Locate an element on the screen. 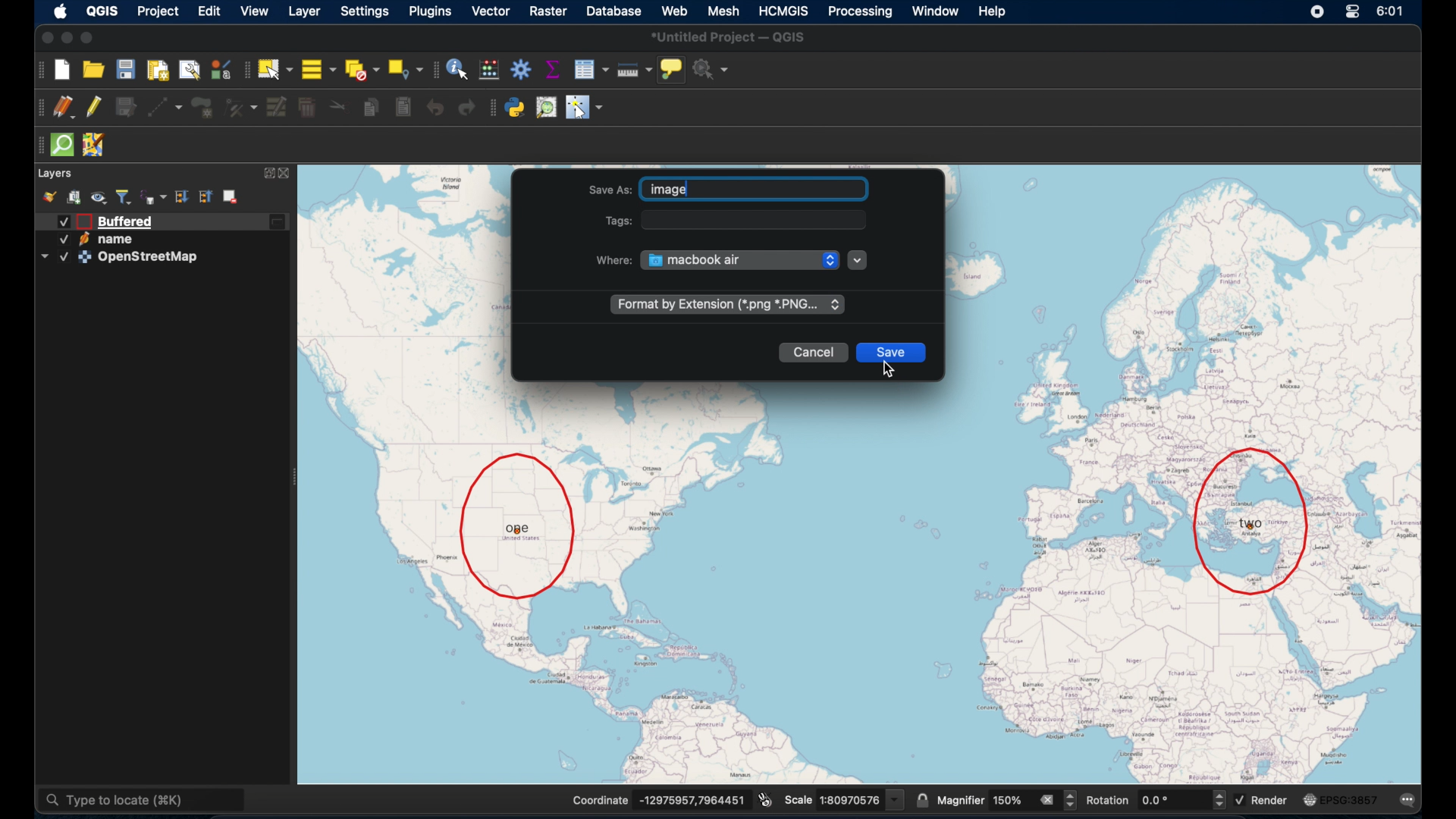  quicksom is located at coordinates (62, 146).